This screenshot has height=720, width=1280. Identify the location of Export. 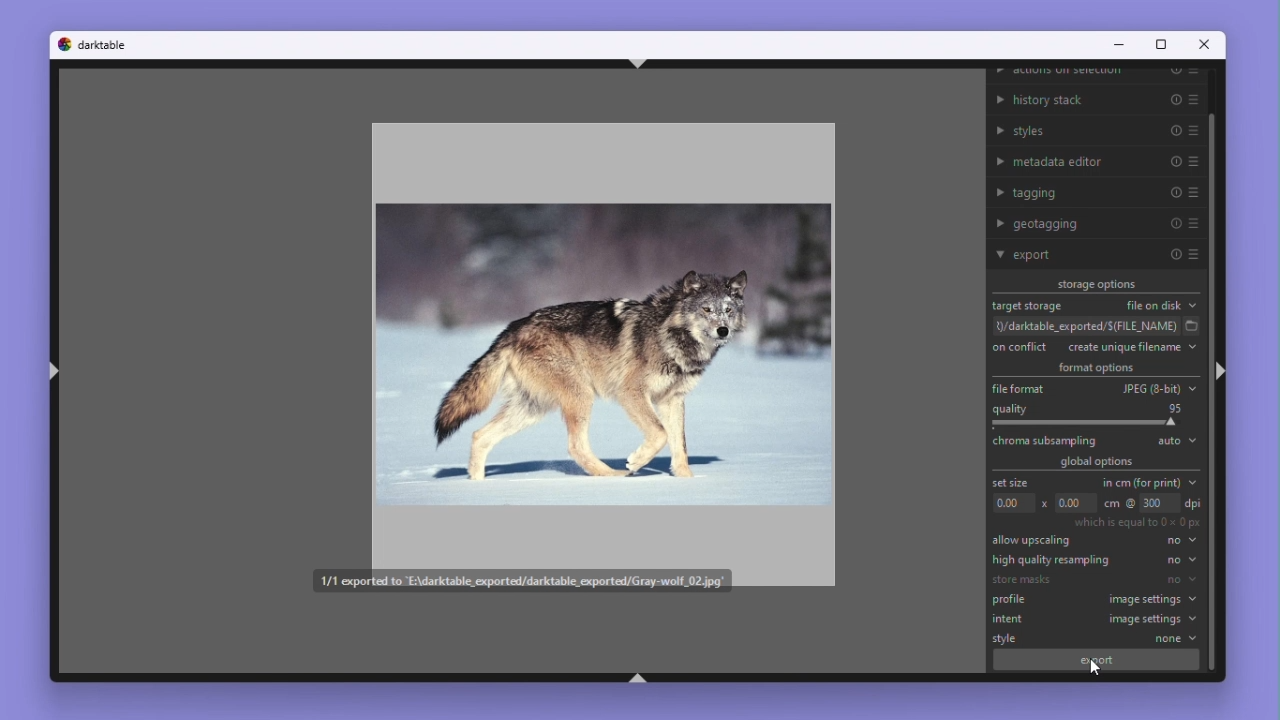
(1096, 254).